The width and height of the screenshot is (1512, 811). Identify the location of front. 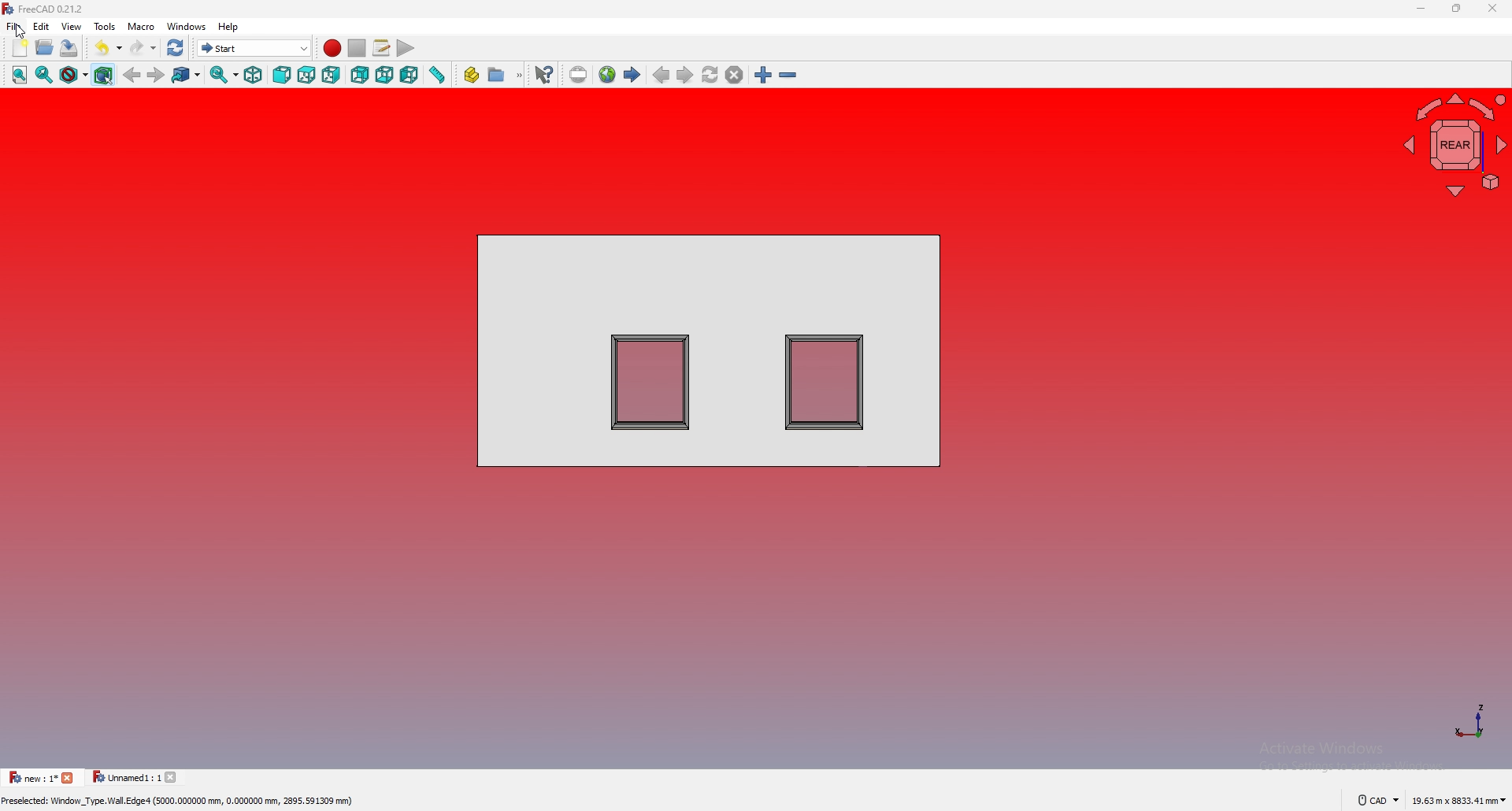
(283, 76).